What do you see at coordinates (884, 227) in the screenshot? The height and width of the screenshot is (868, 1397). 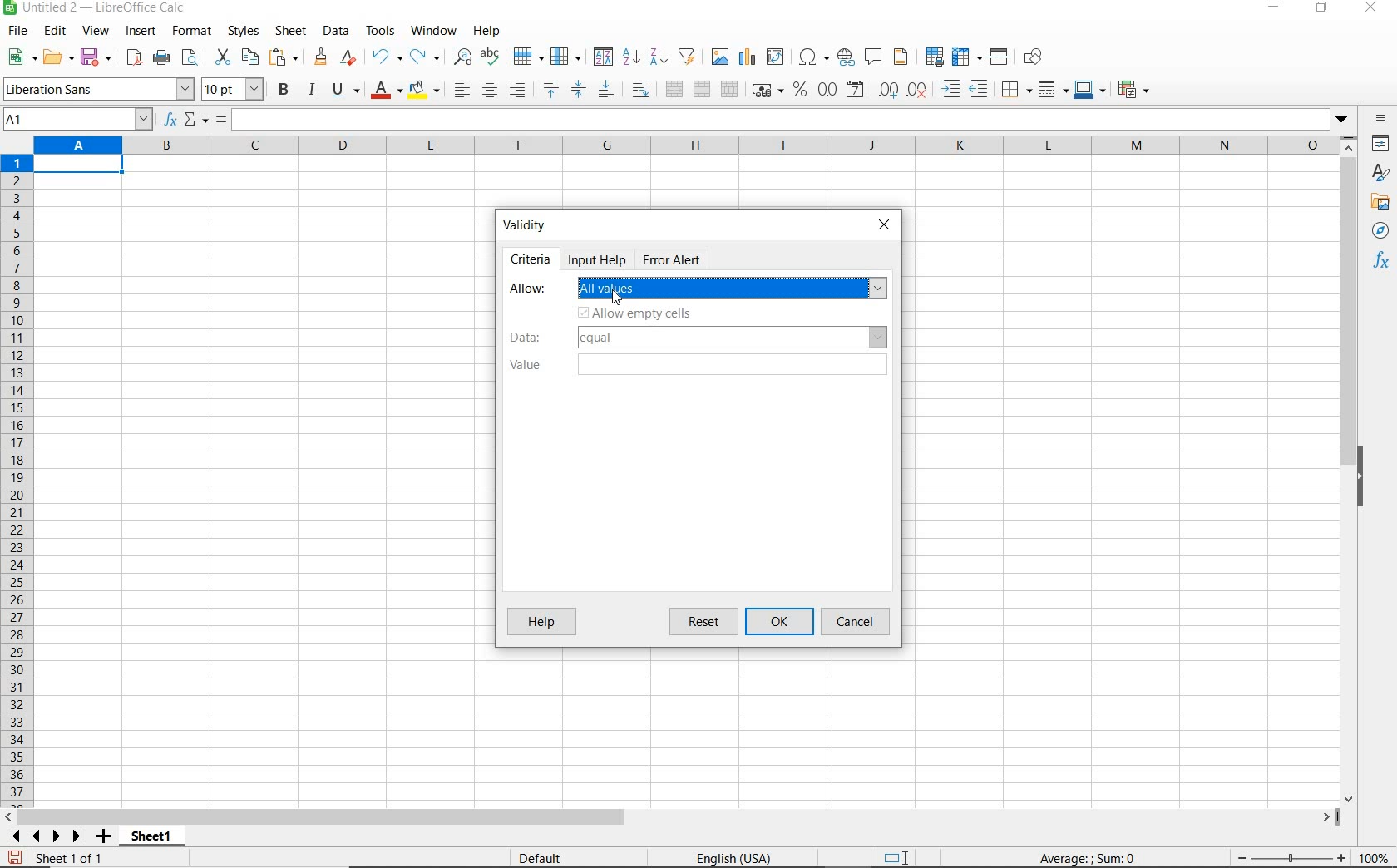 I see `close` at bounding box center [884, 227].